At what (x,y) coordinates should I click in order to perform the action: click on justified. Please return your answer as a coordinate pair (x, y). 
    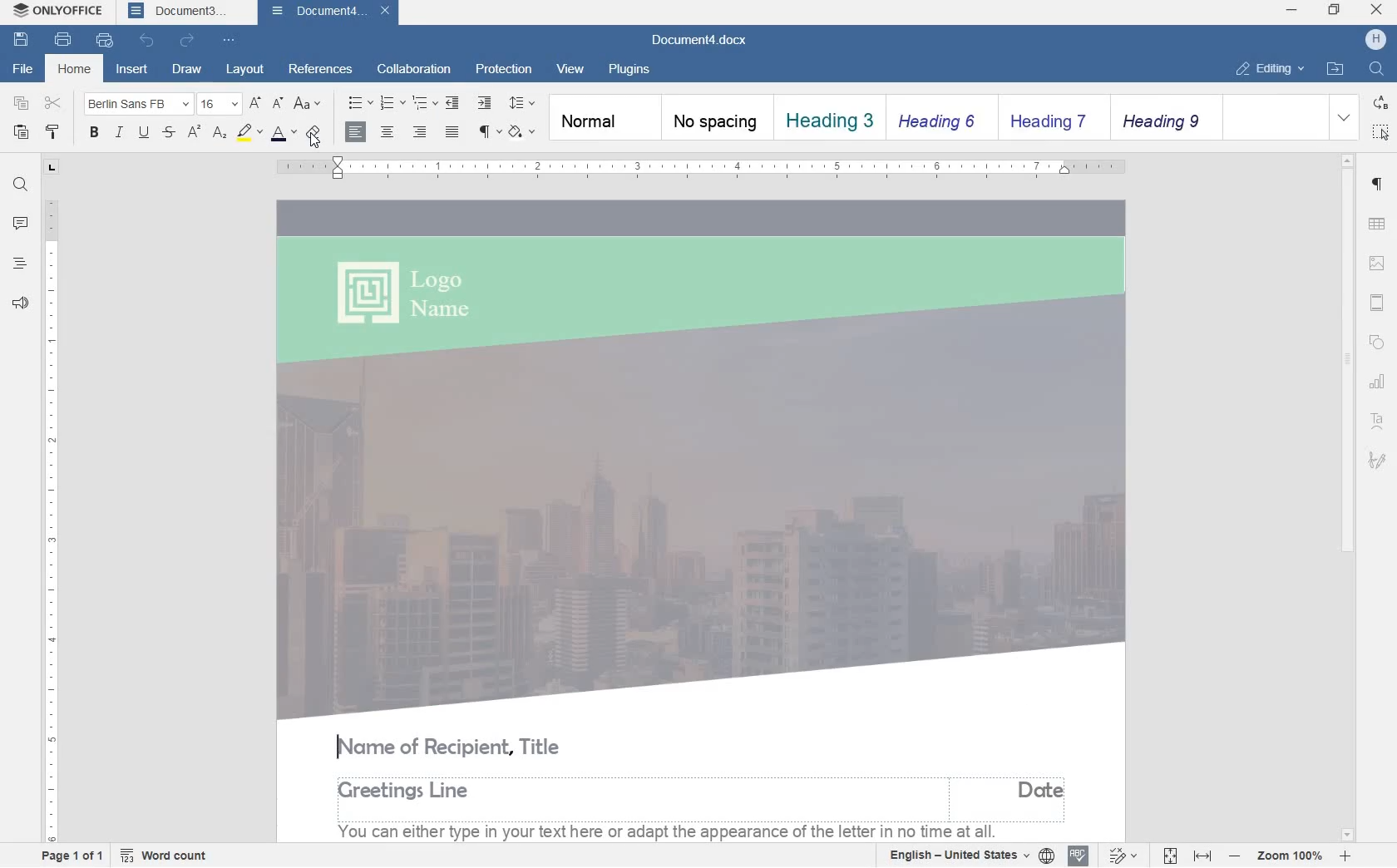
    Looking at the image, I should click on (451, 133).